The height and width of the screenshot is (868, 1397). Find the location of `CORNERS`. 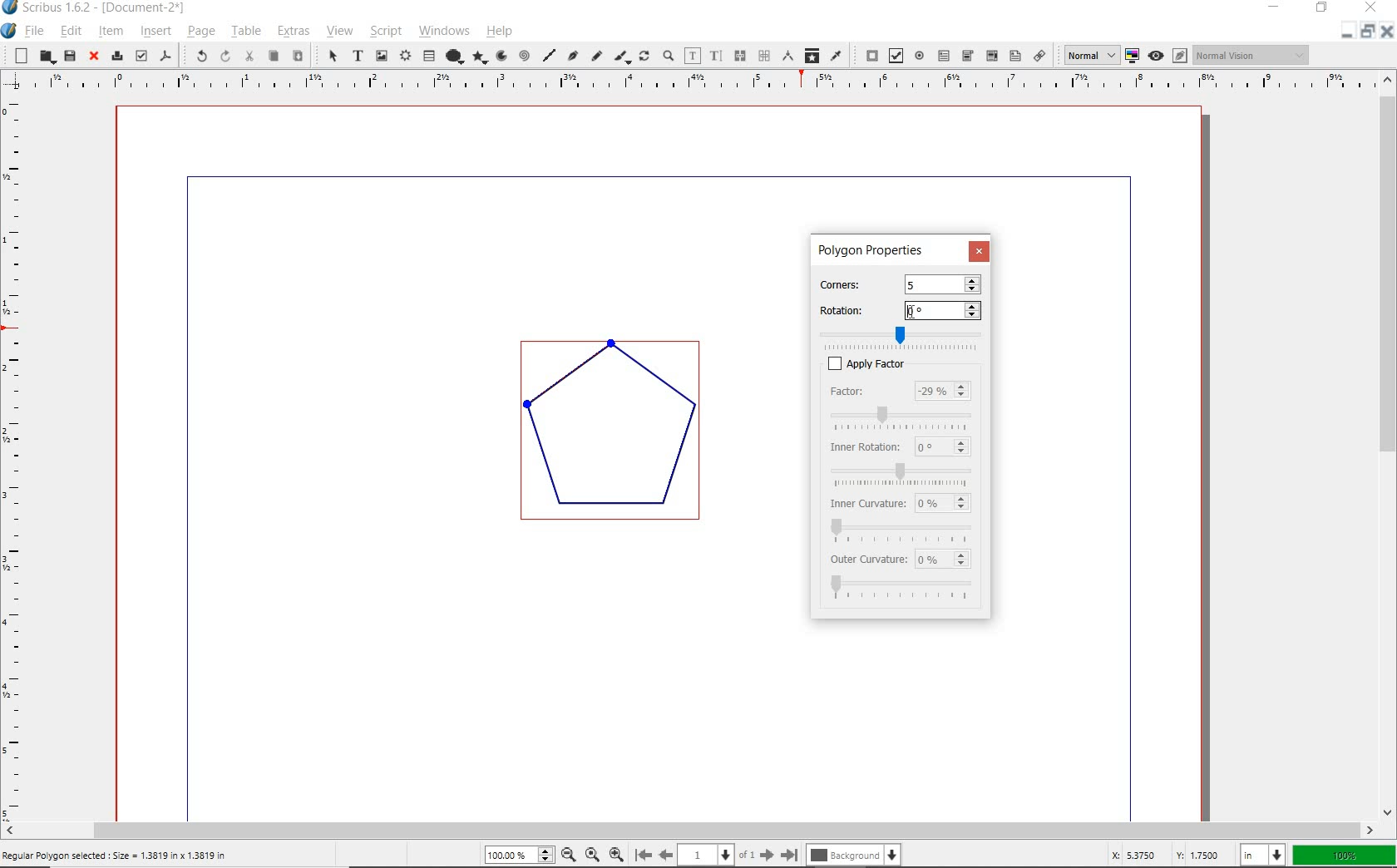

CORNERS is located at coordinates (852, 282).